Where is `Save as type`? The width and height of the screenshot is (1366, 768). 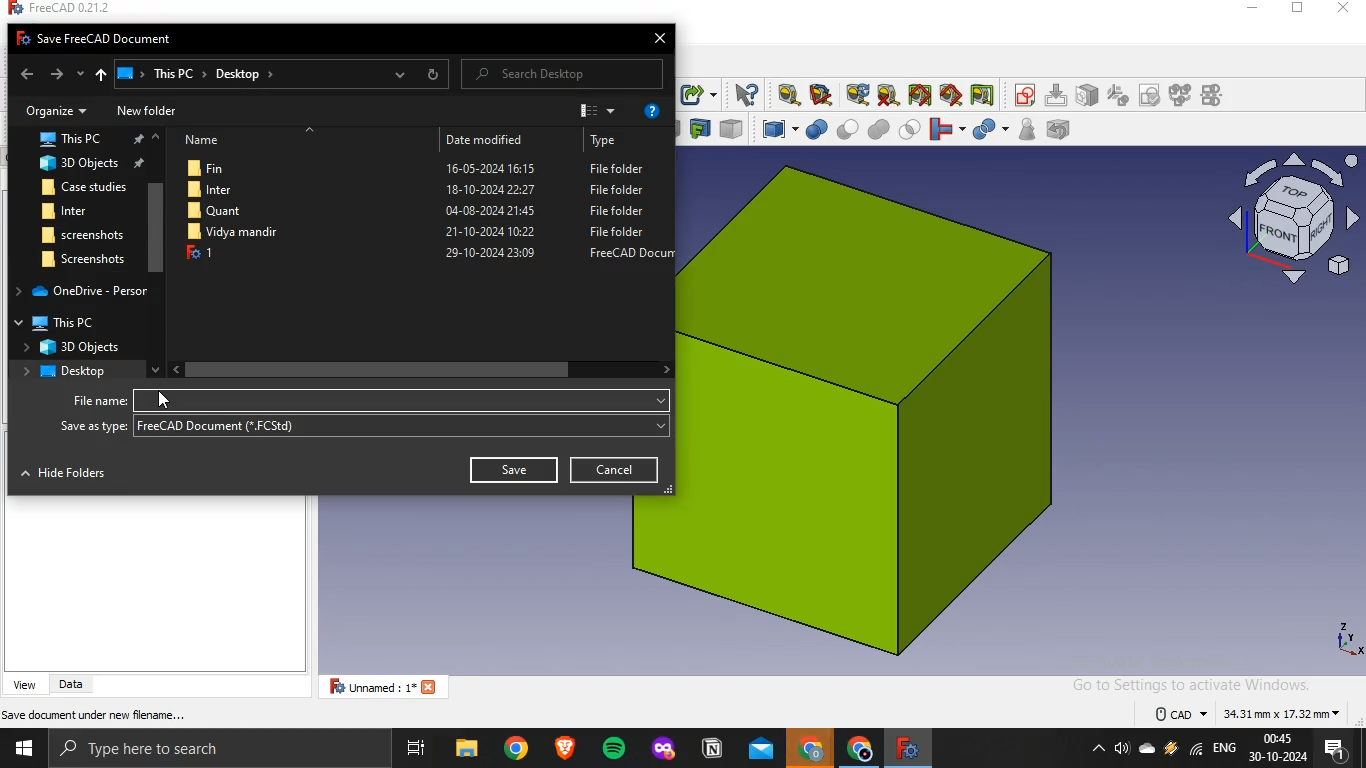 Save as type is located at coordinates (92, 426).